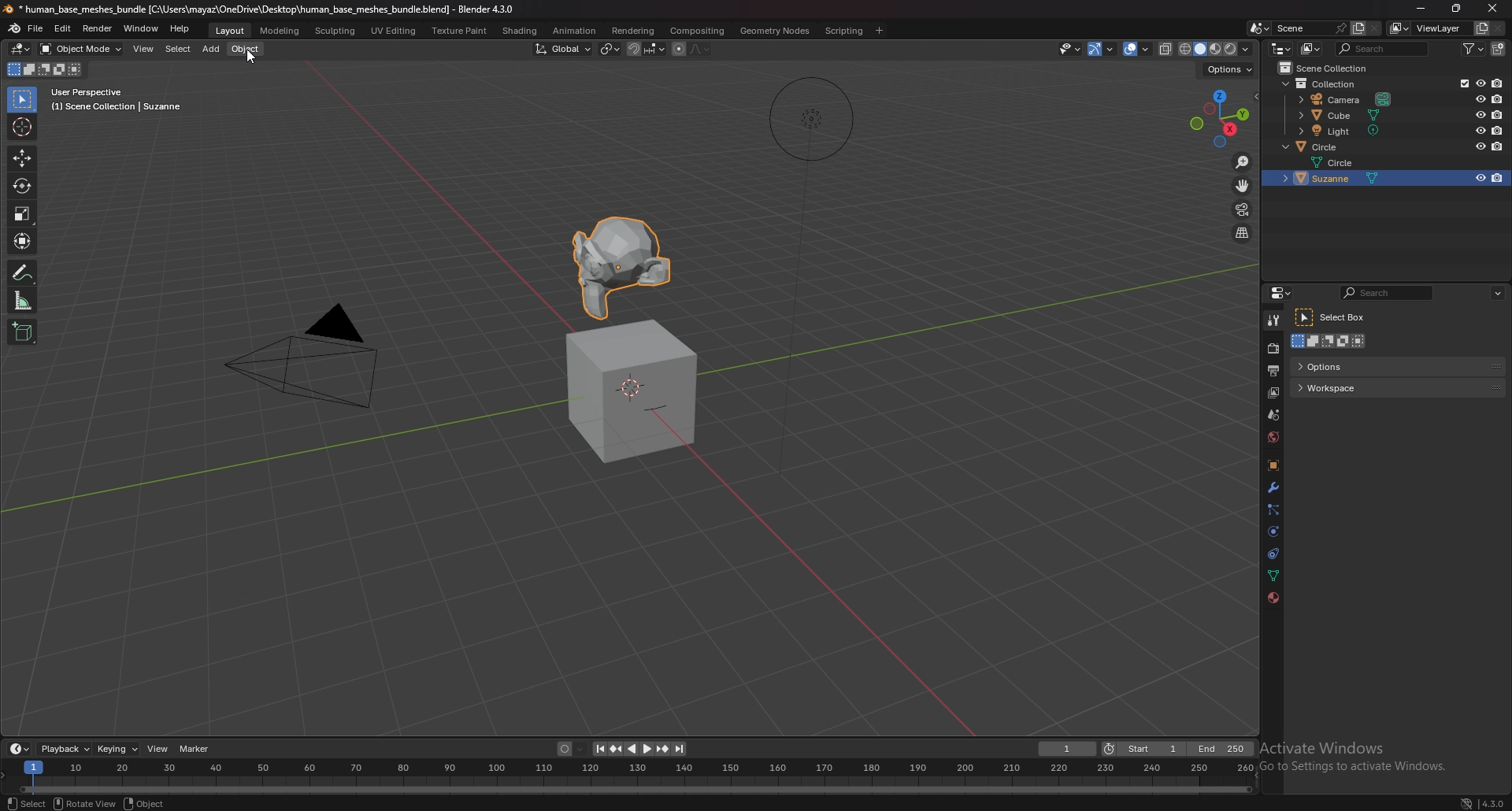  I want to click on tool, so click(1273, 321).